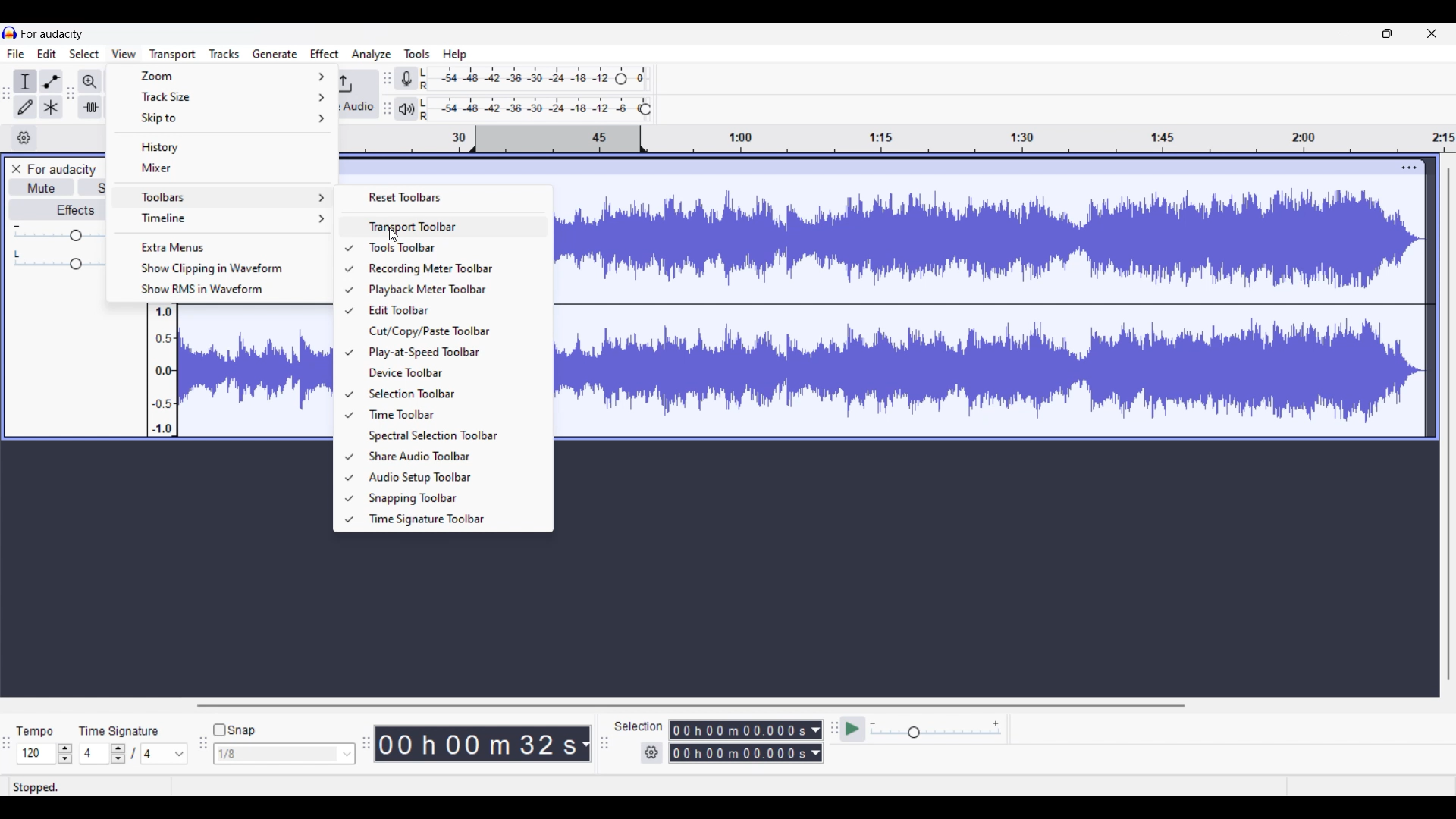  What do you see at coordinates (90, 82) in the screenshot?
I see `Zoom in` at bounding box center [90, 82].